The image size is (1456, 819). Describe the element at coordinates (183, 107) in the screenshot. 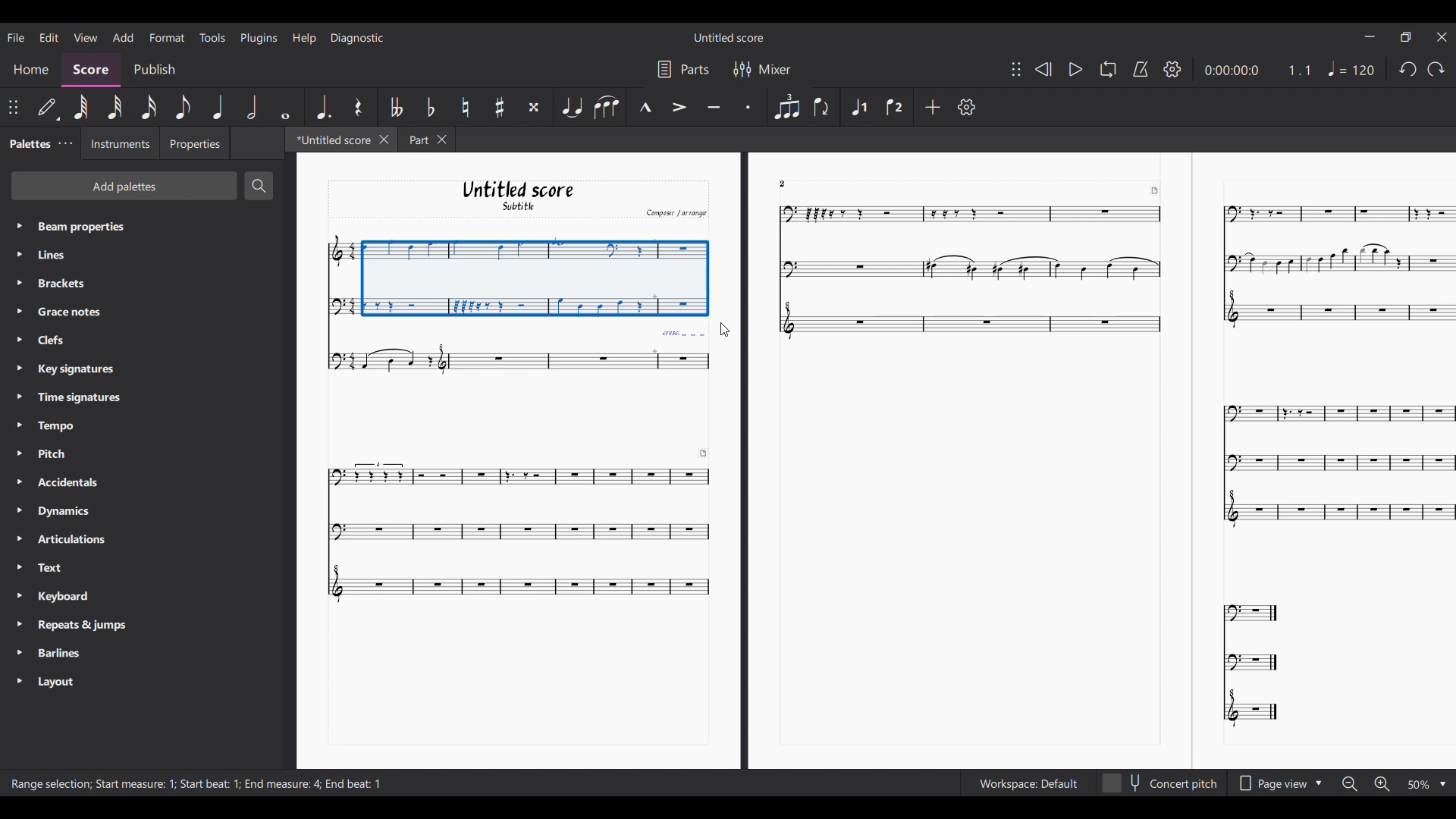

I see `8th note` at that location.